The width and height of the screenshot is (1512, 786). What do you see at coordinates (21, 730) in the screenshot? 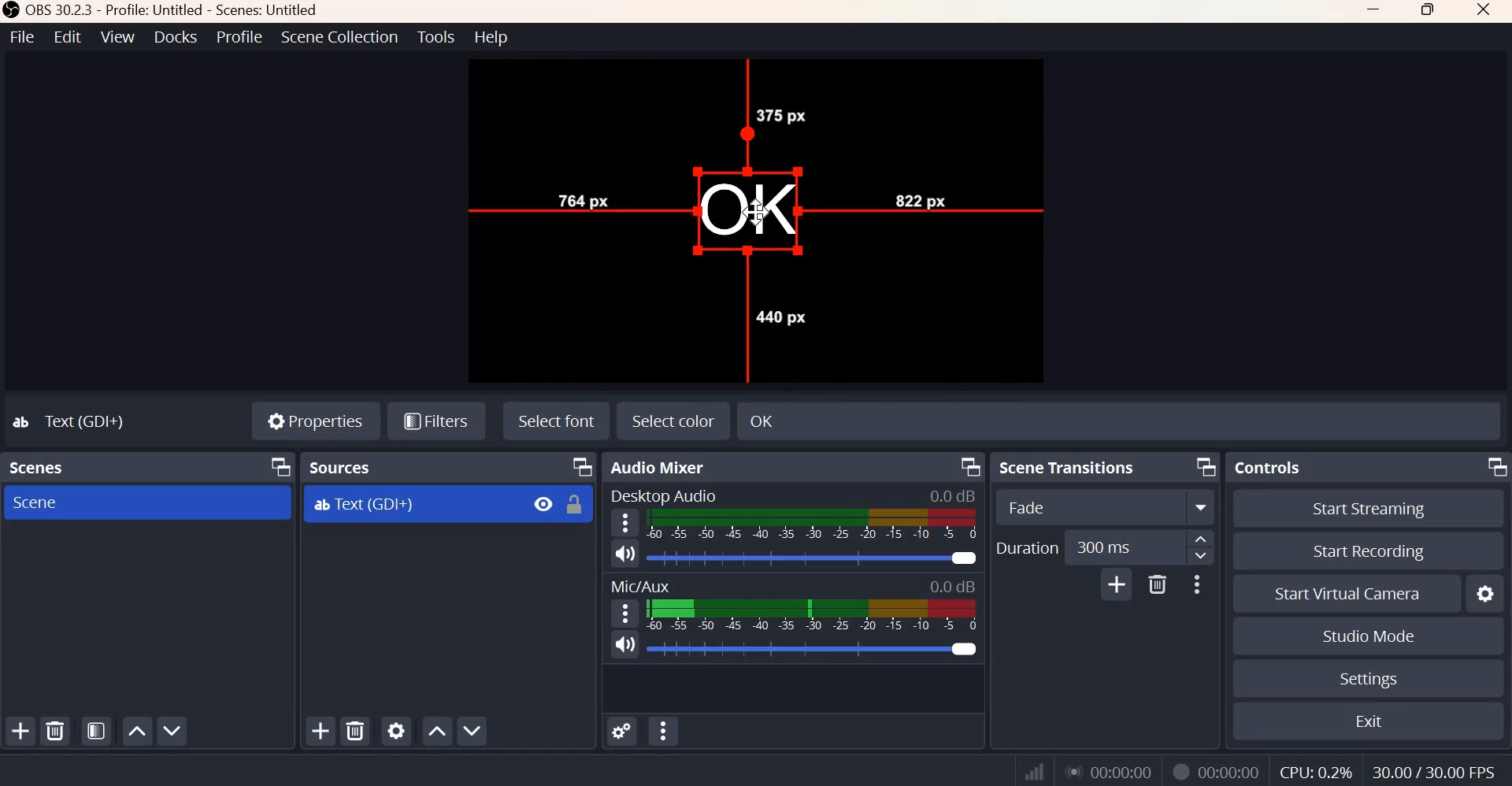
I see `Add scene` at bounding box center [21, 730].